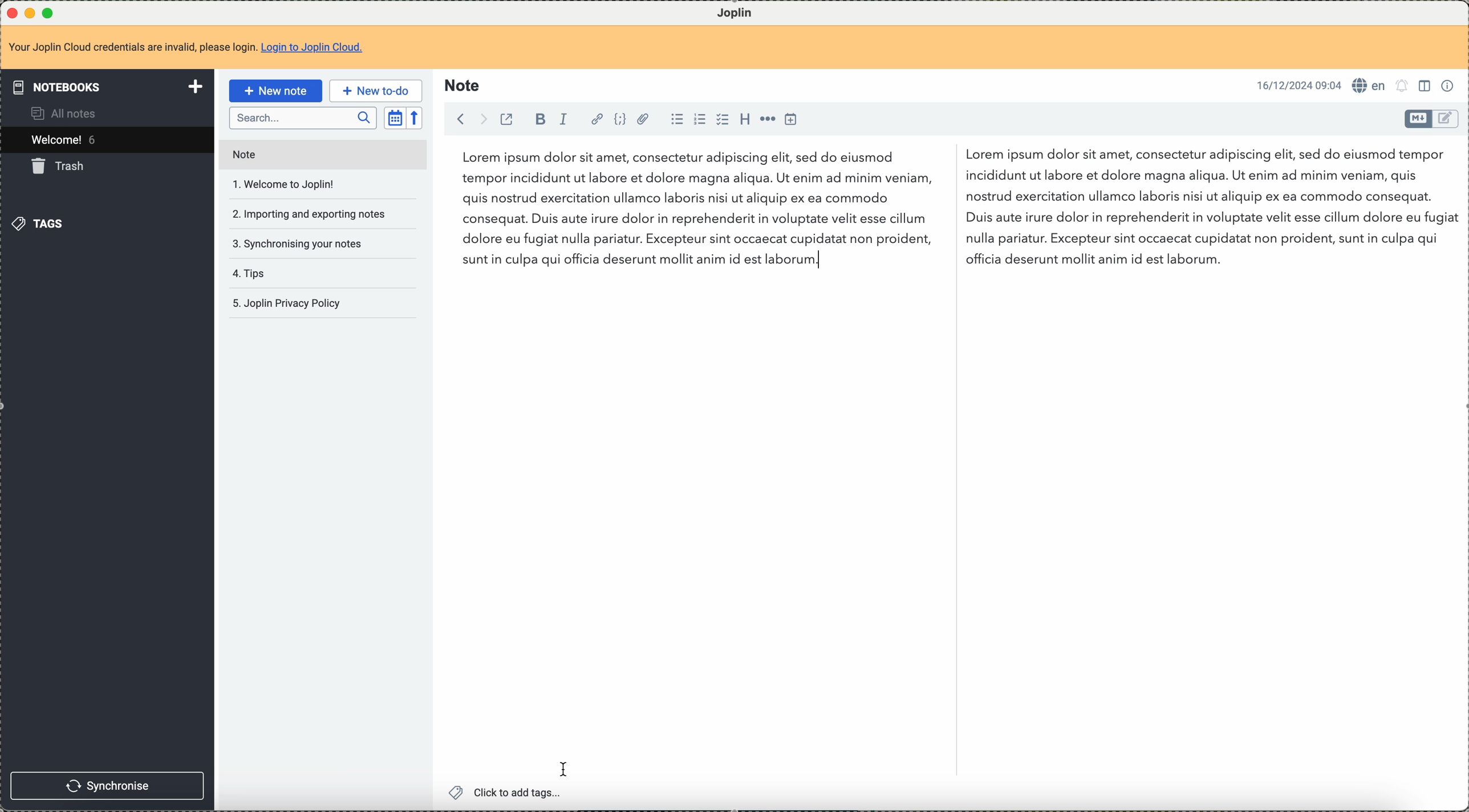 The image size is (1469, 812). I want to click on numbered list, so click(700, 120).